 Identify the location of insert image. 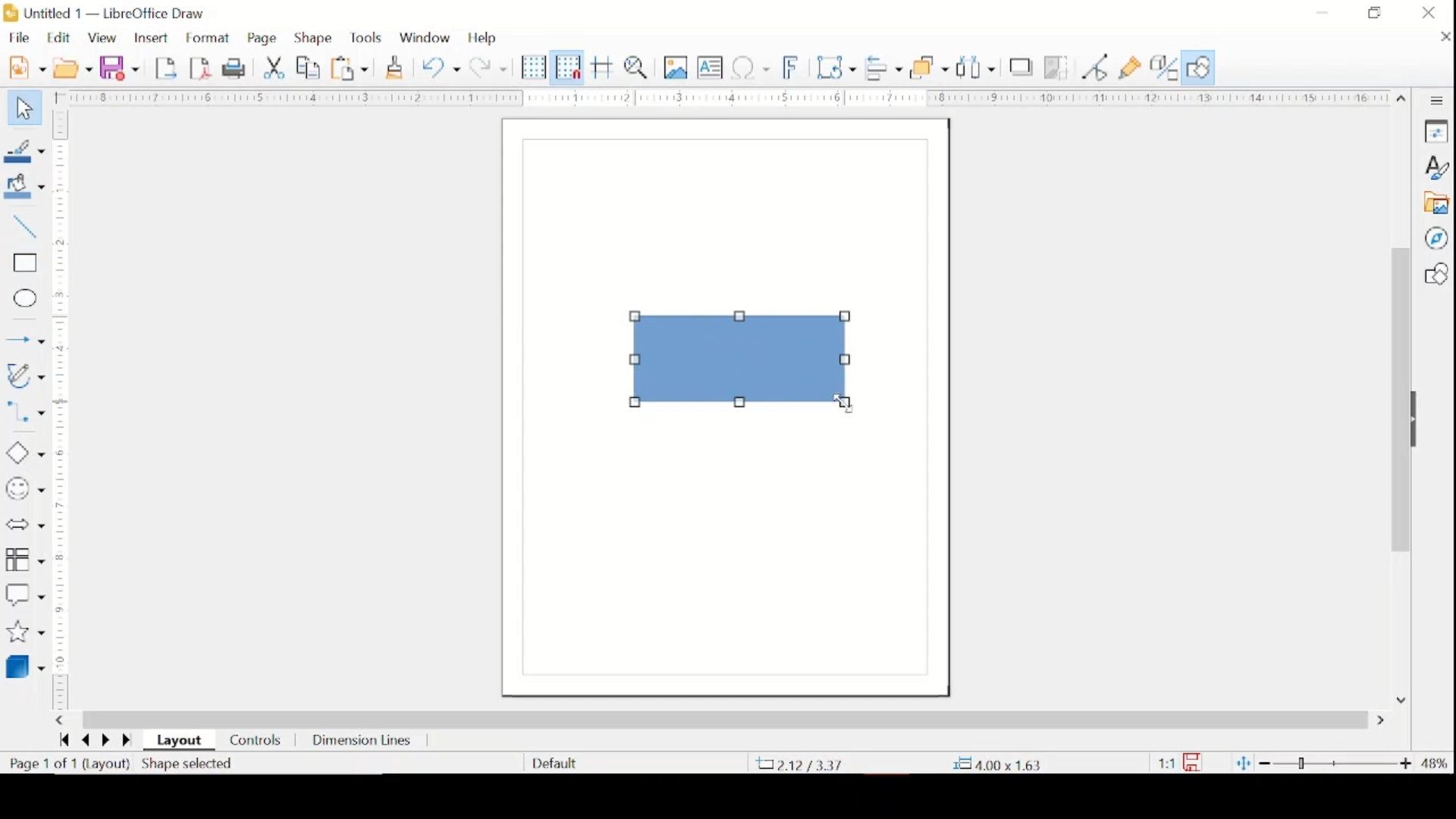
(677, 67).